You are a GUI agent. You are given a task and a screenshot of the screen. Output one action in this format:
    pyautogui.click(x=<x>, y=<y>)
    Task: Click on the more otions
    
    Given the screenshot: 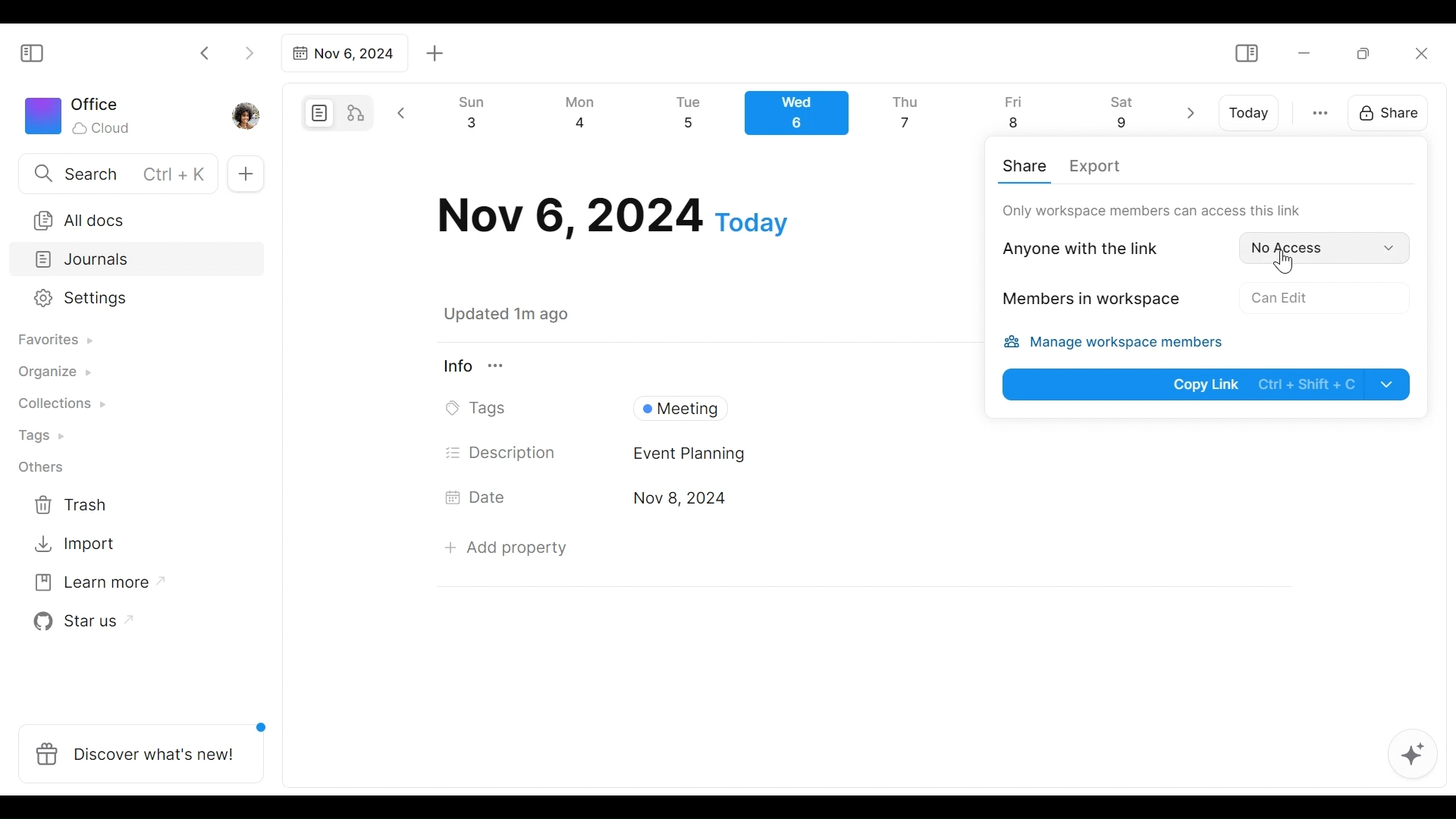 What is the action you would take?
    pyautogui.click(x=1320, y=111)
    